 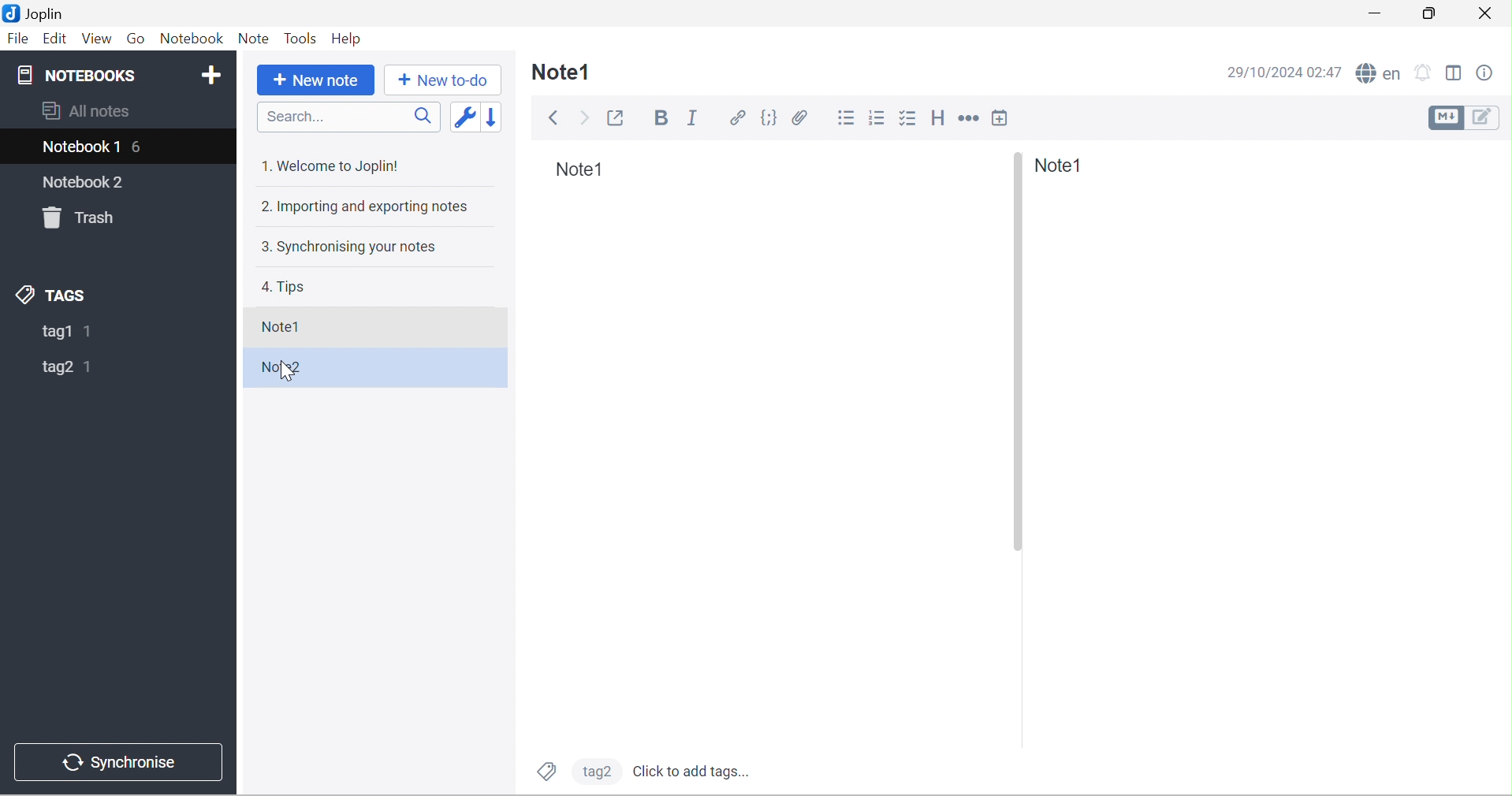 What do you see at coordinates (696, 118) in the screenshot?
I see `Italic` at bounding box center [696, 118].